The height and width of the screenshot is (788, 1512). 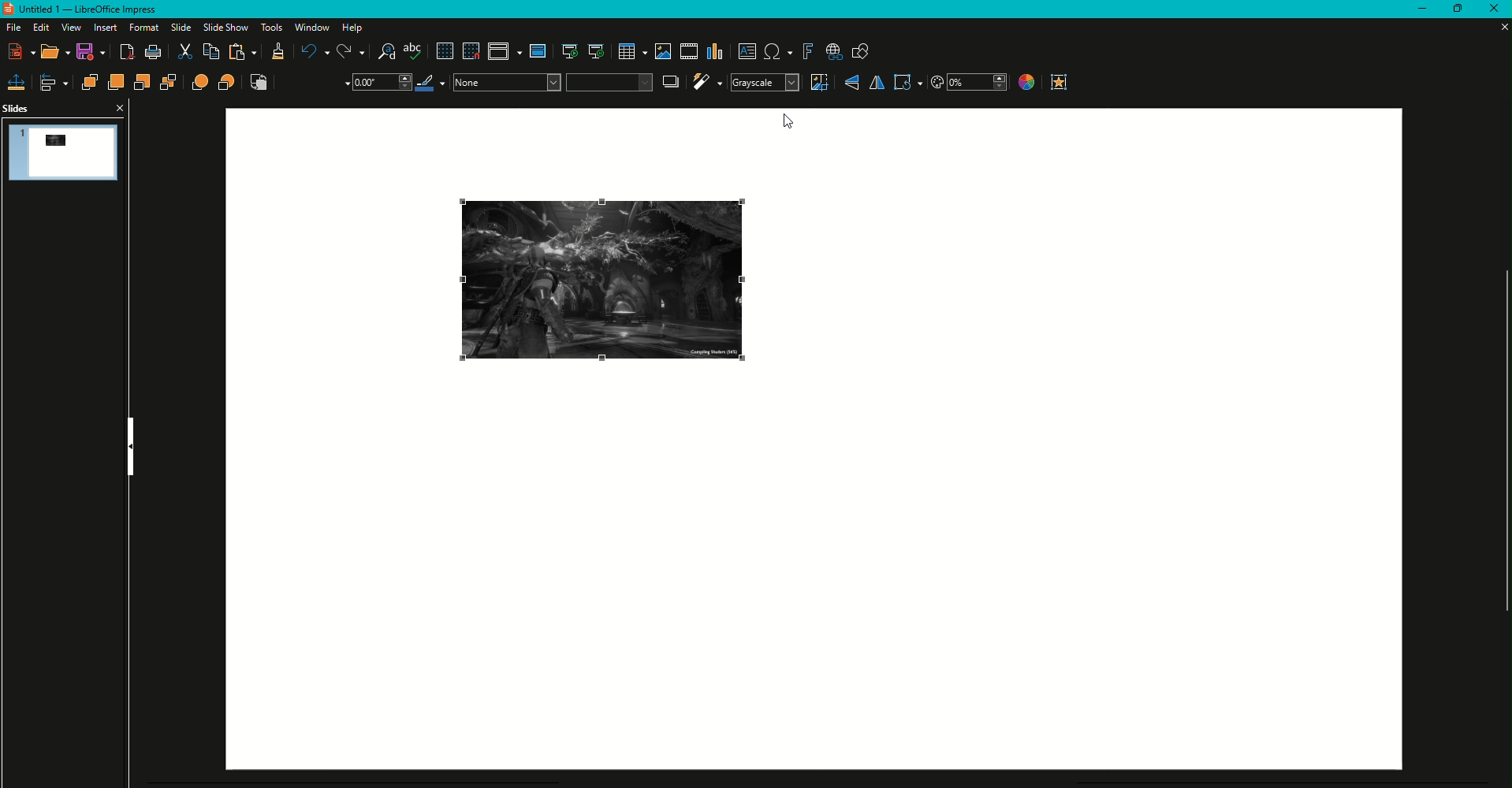 I want to click on Edit, so click(x=39, y=28).